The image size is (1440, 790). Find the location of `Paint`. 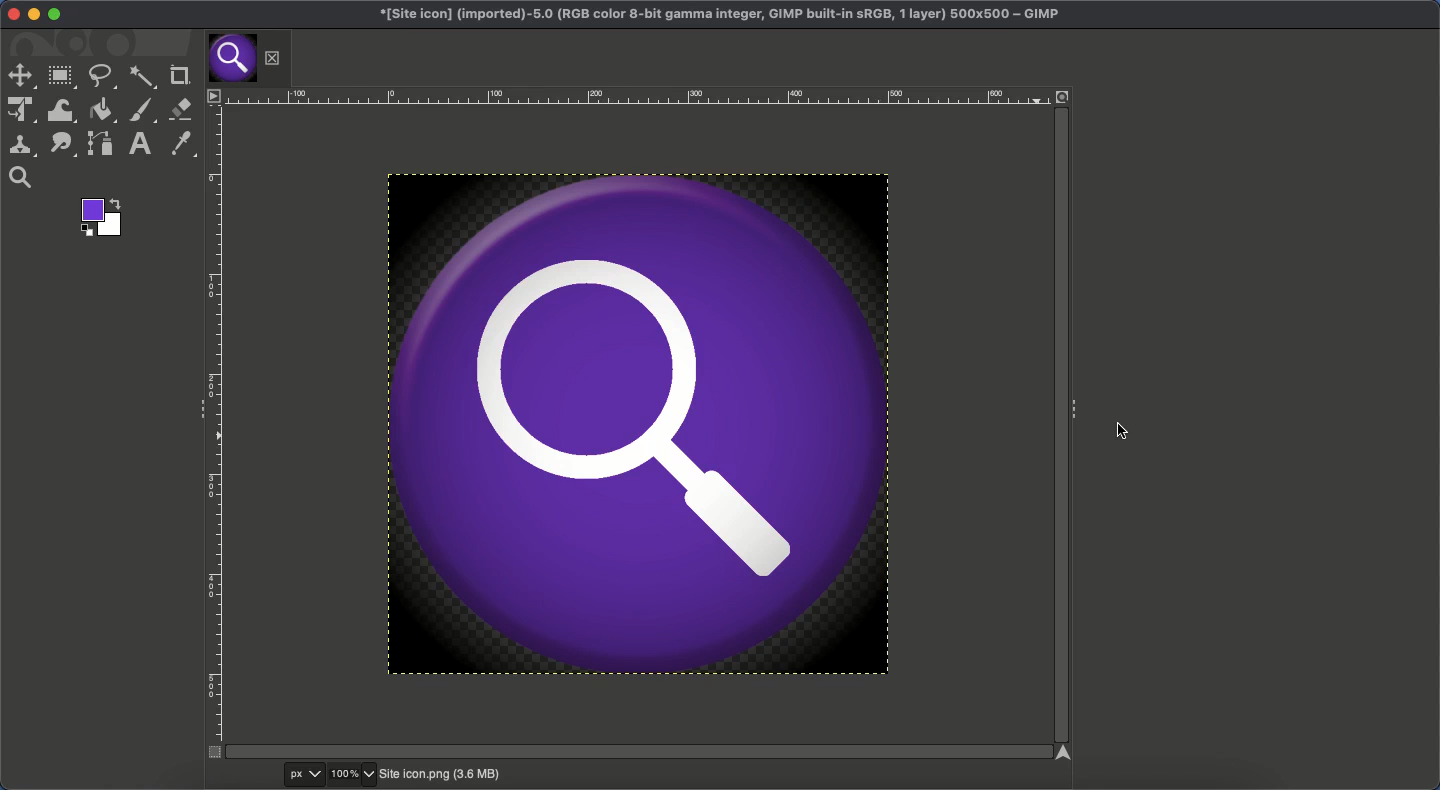

Paint is located at coordinates (140, 111).